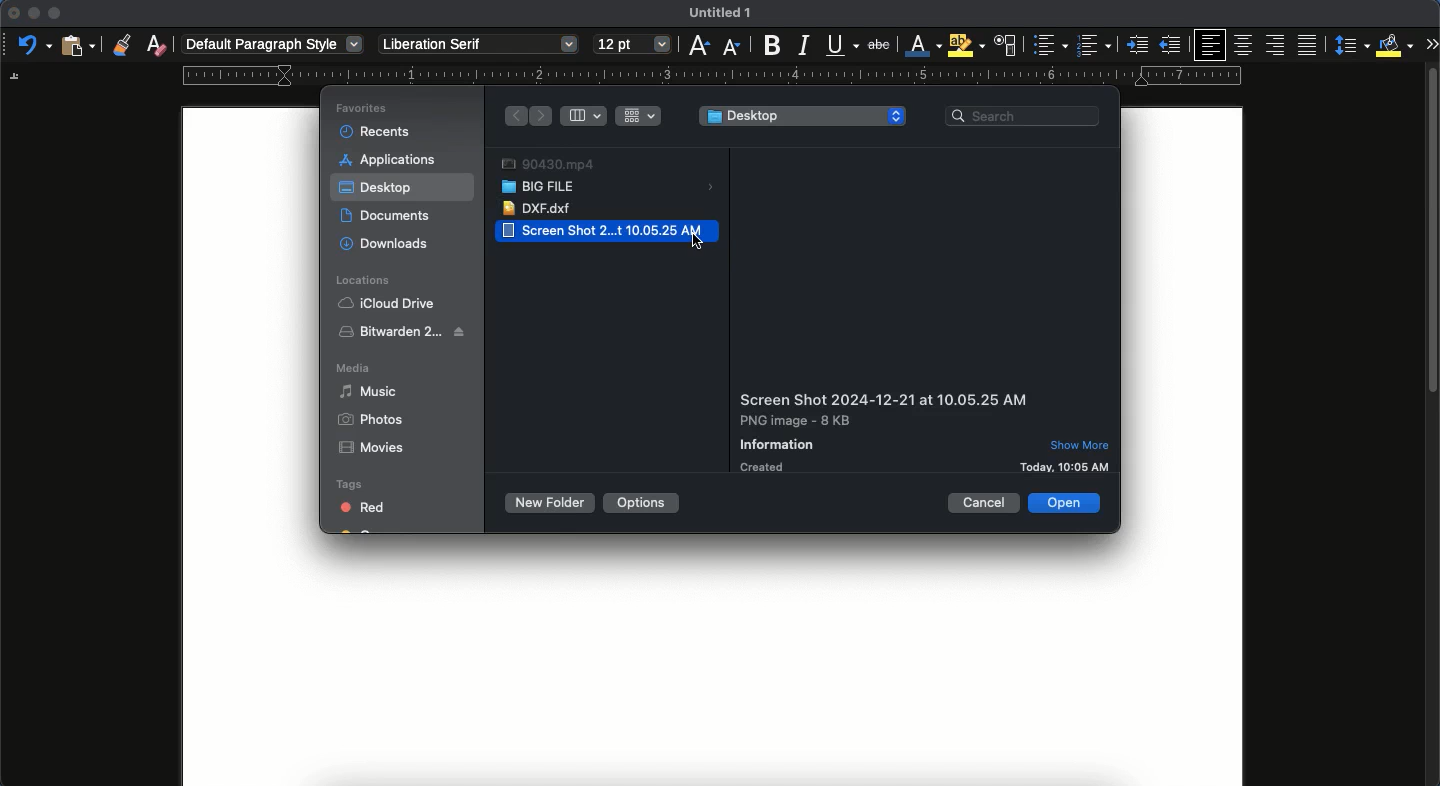  Describe the element at coordinates (391, 160) in the screenshot. I see `applications ` at that location.